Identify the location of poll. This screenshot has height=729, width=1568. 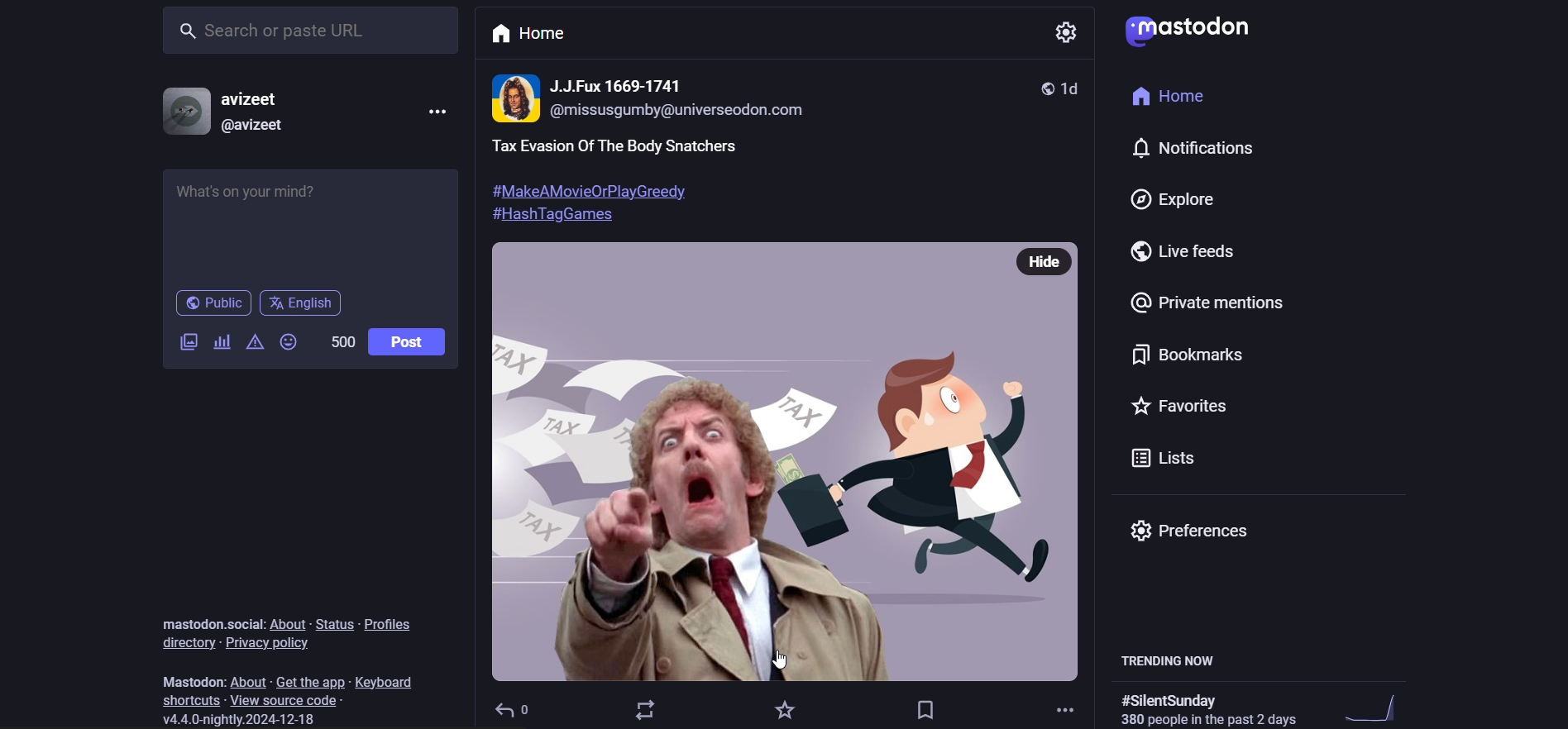
(223, 341).